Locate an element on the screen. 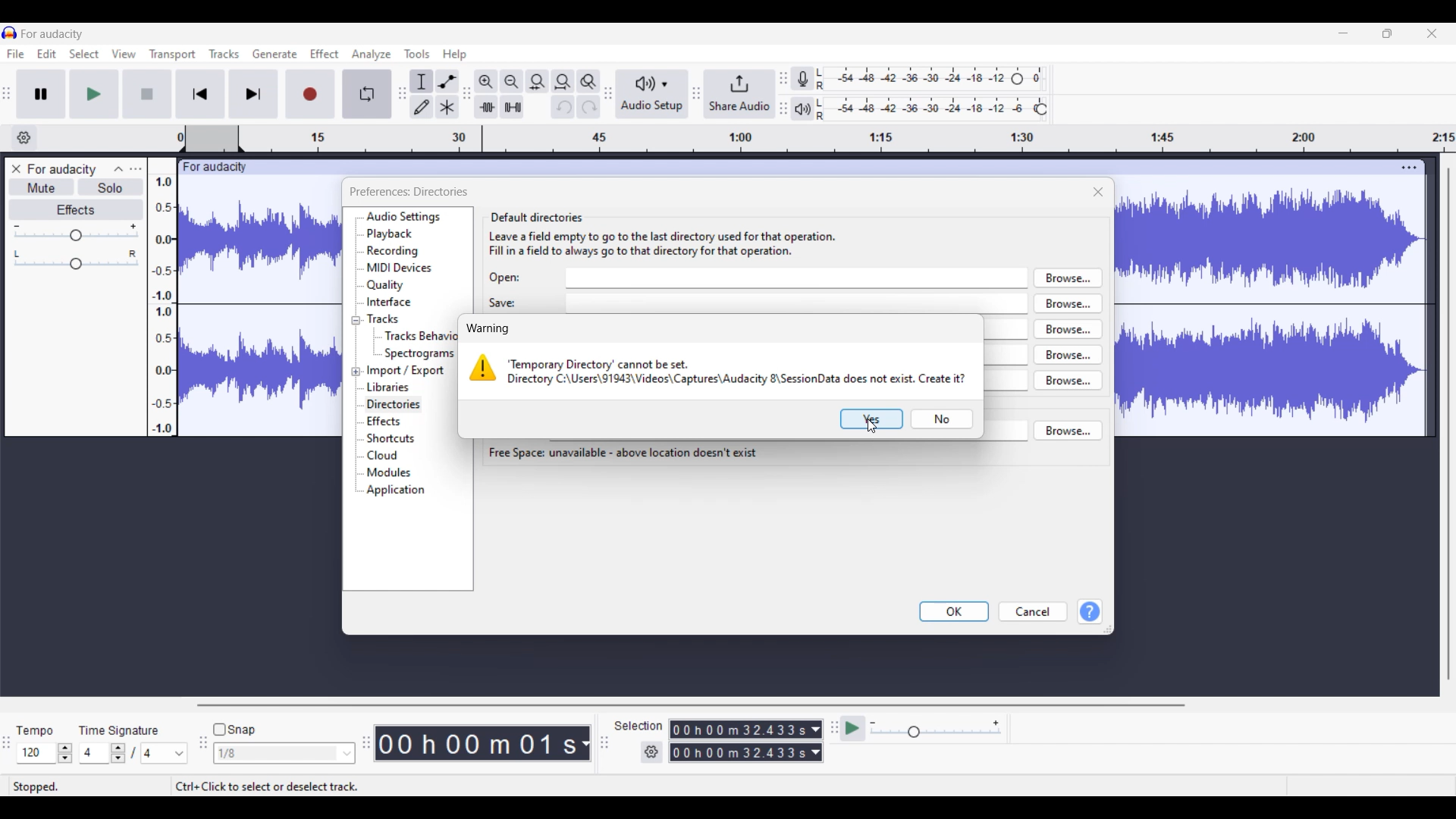  Indicates text box for Open is located at coordinates (505, 278).